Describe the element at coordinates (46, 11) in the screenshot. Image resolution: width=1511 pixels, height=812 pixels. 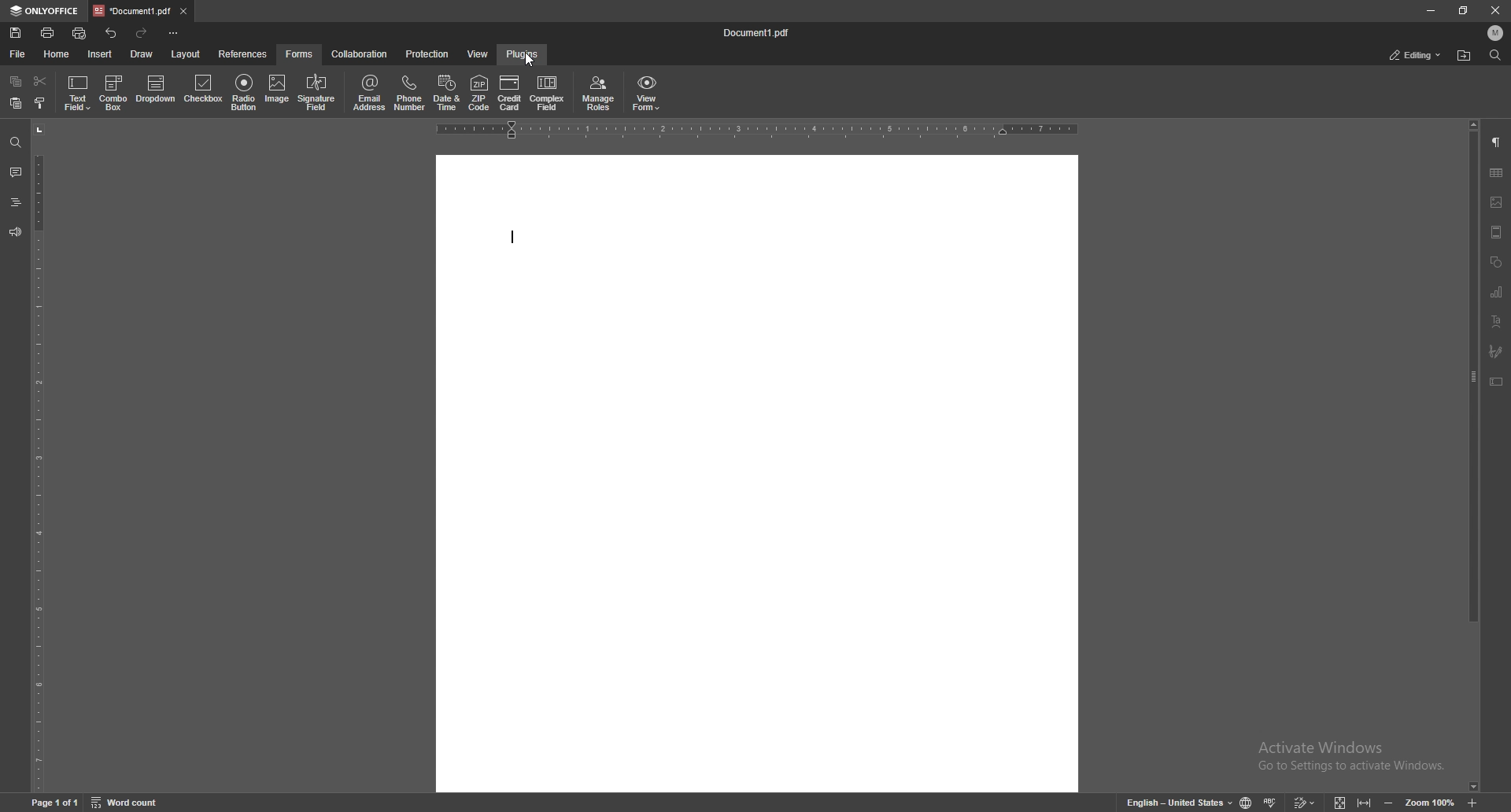
I see `onlyoffice` at that location.